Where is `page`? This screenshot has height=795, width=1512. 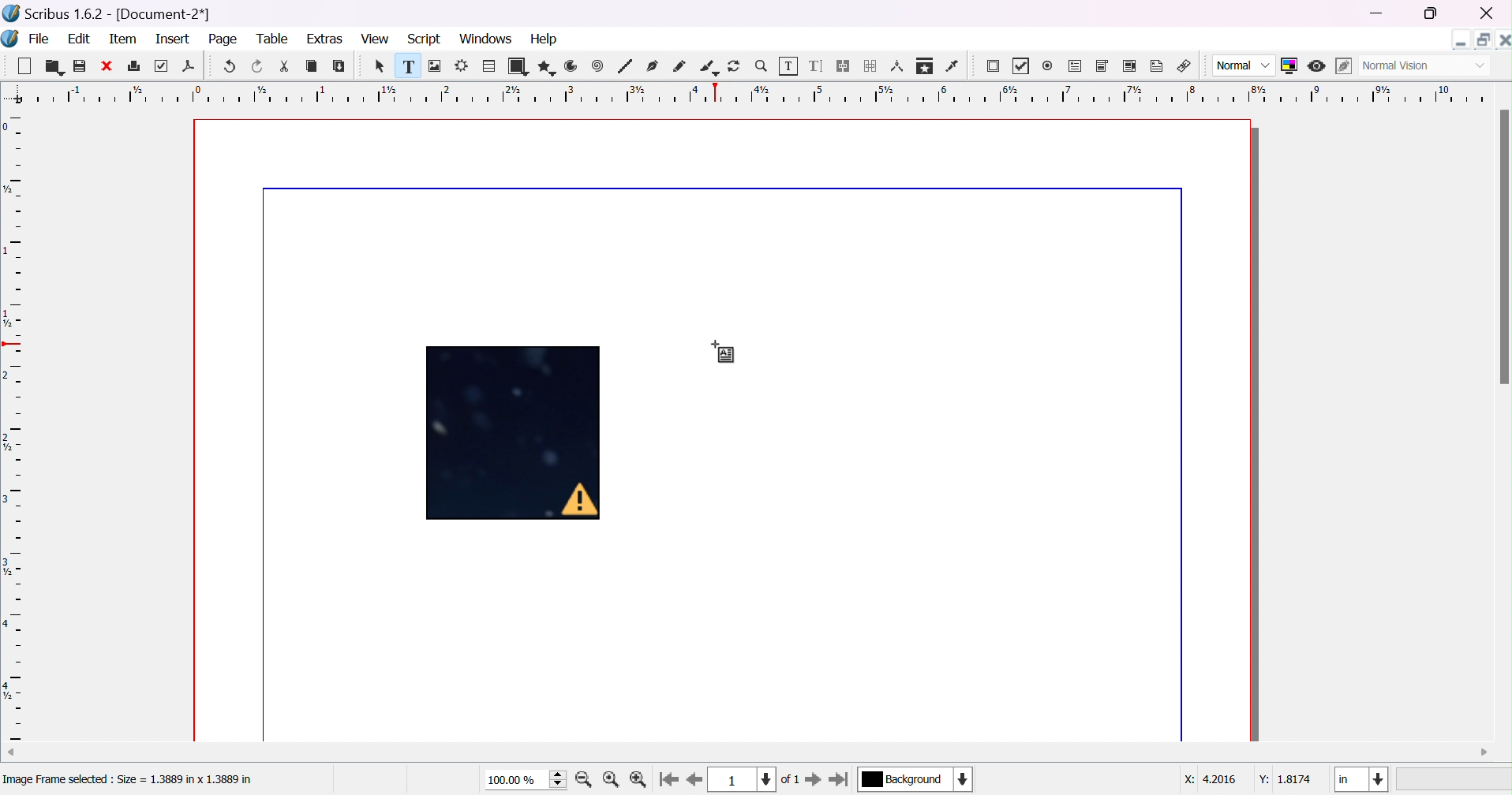
page is located at coordinates (226, 40).